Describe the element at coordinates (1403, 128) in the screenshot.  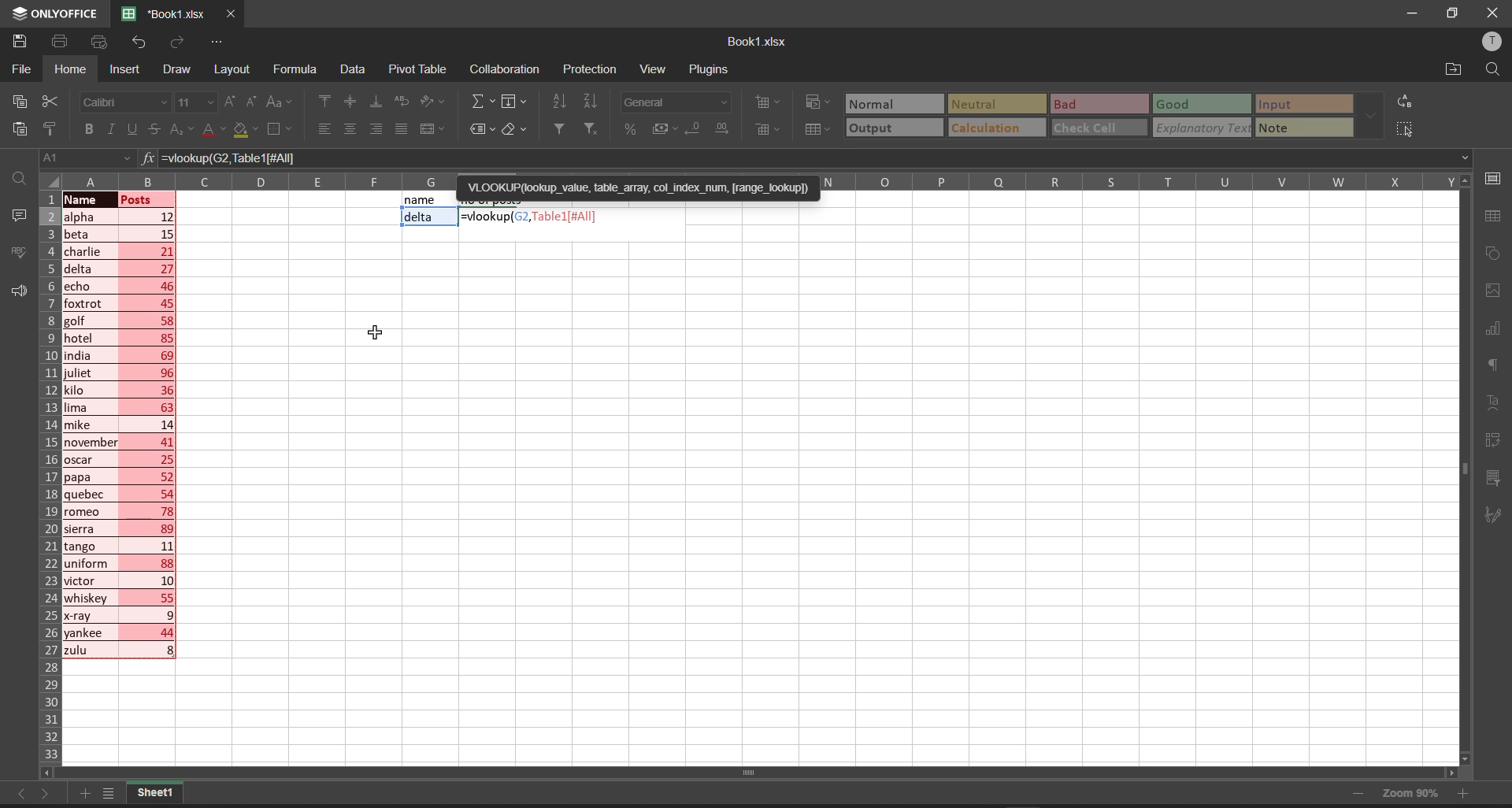
I see `select all` at that location.